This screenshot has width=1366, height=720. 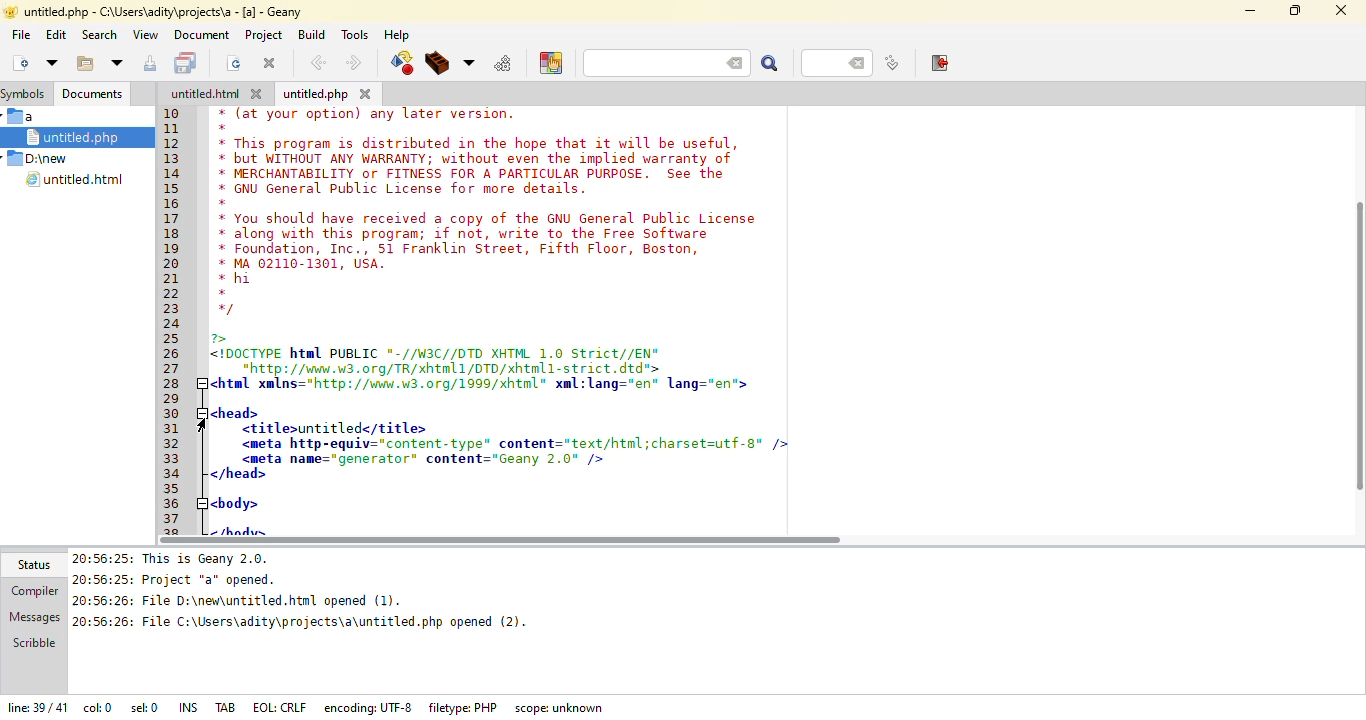 What do you see at coordinates (93, 93) in the screenshot?
I see `documents` at bounding box center [93, 93].